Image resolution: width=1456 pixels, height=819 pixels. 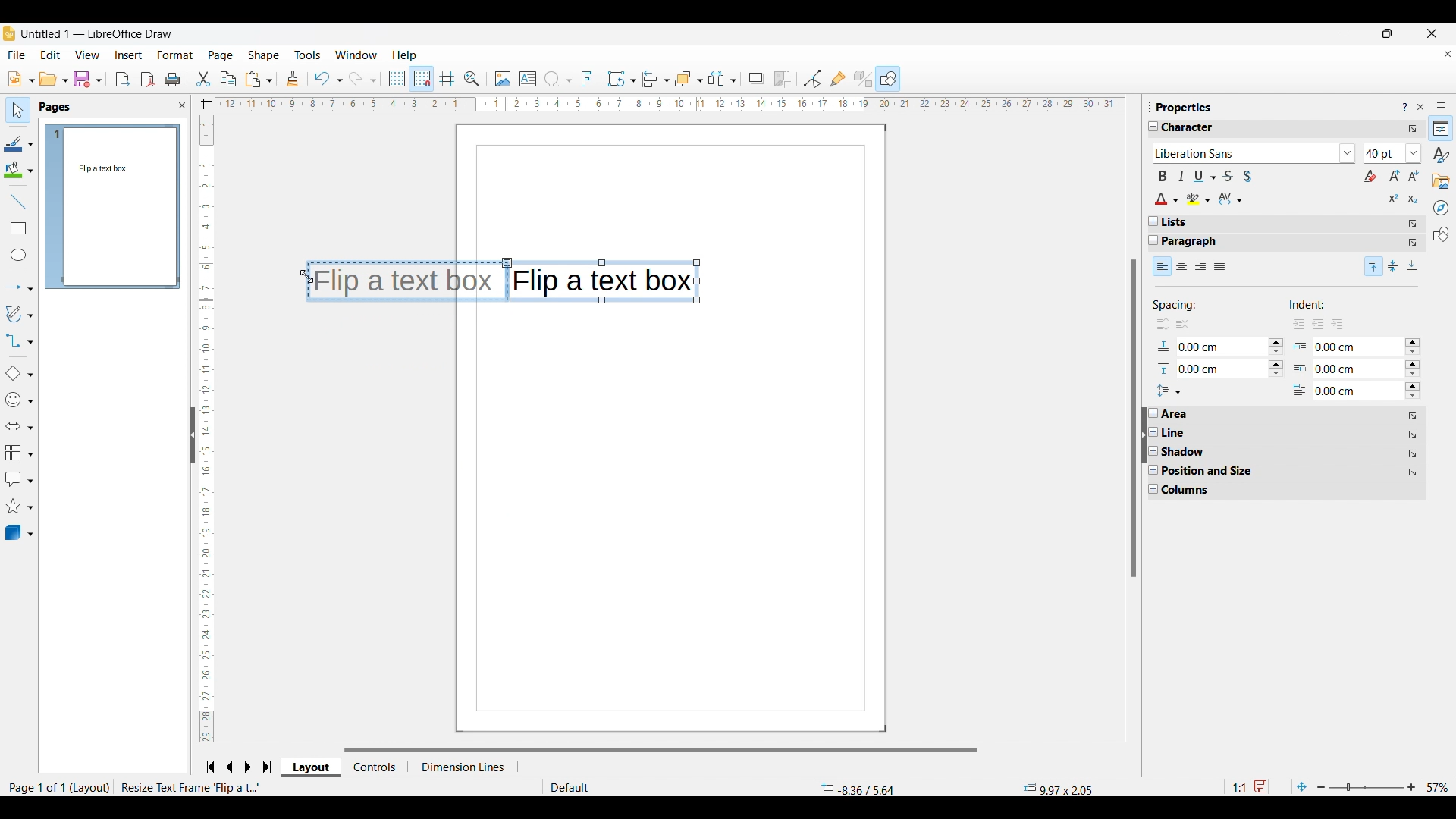 What do you see at coordinates (210, 767) in the screenshot?
I see `Jump to frist slide` at bounding box center [210, 767].